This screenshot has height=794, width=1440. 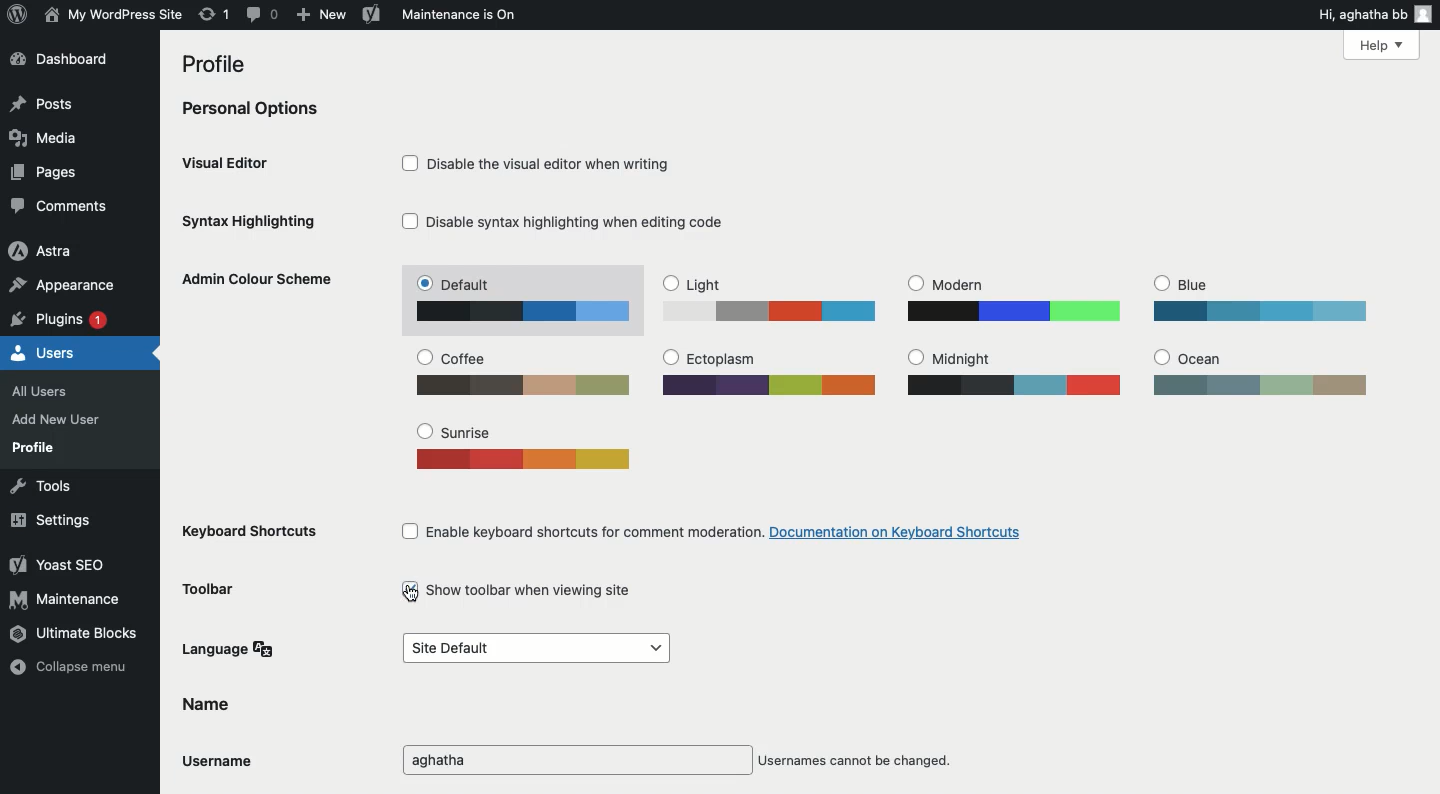 What do you see at coordinates (769, 375) in the screenshot?
I see `Ectoplasm` at bounding box center [769, 375].